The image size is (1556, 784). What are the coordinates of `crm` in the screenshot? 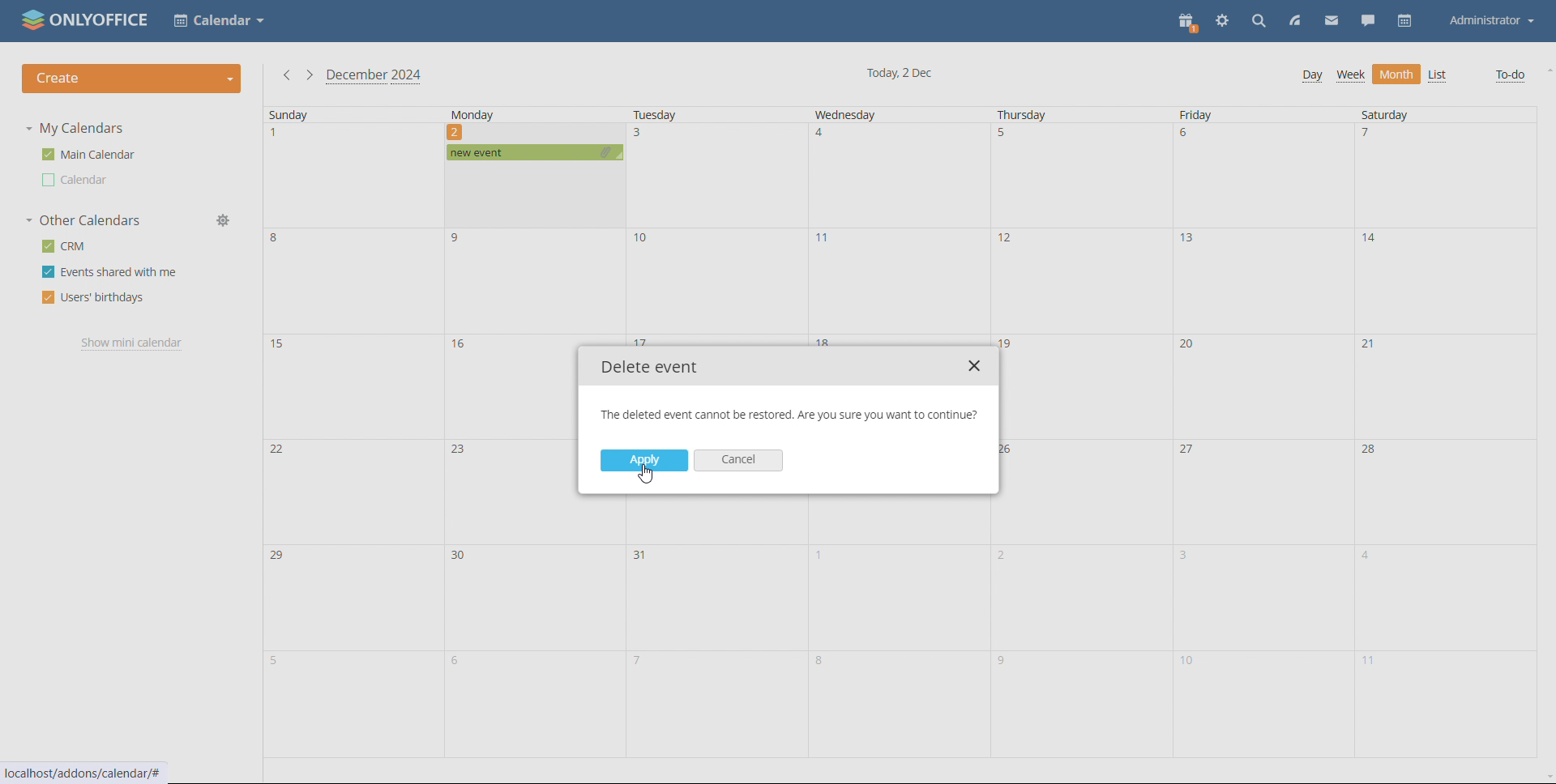 It's located at (64, 245).